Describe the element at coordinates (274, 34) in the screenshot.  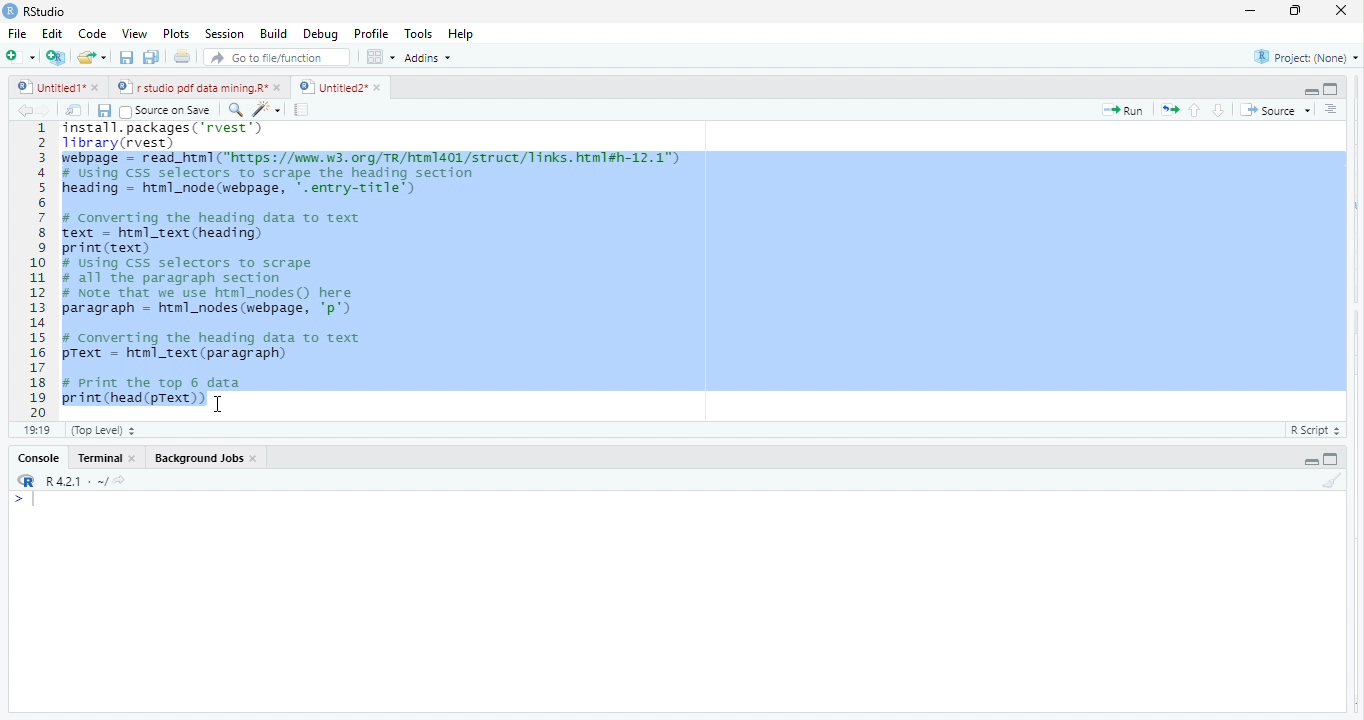
I see `Build` at that location.